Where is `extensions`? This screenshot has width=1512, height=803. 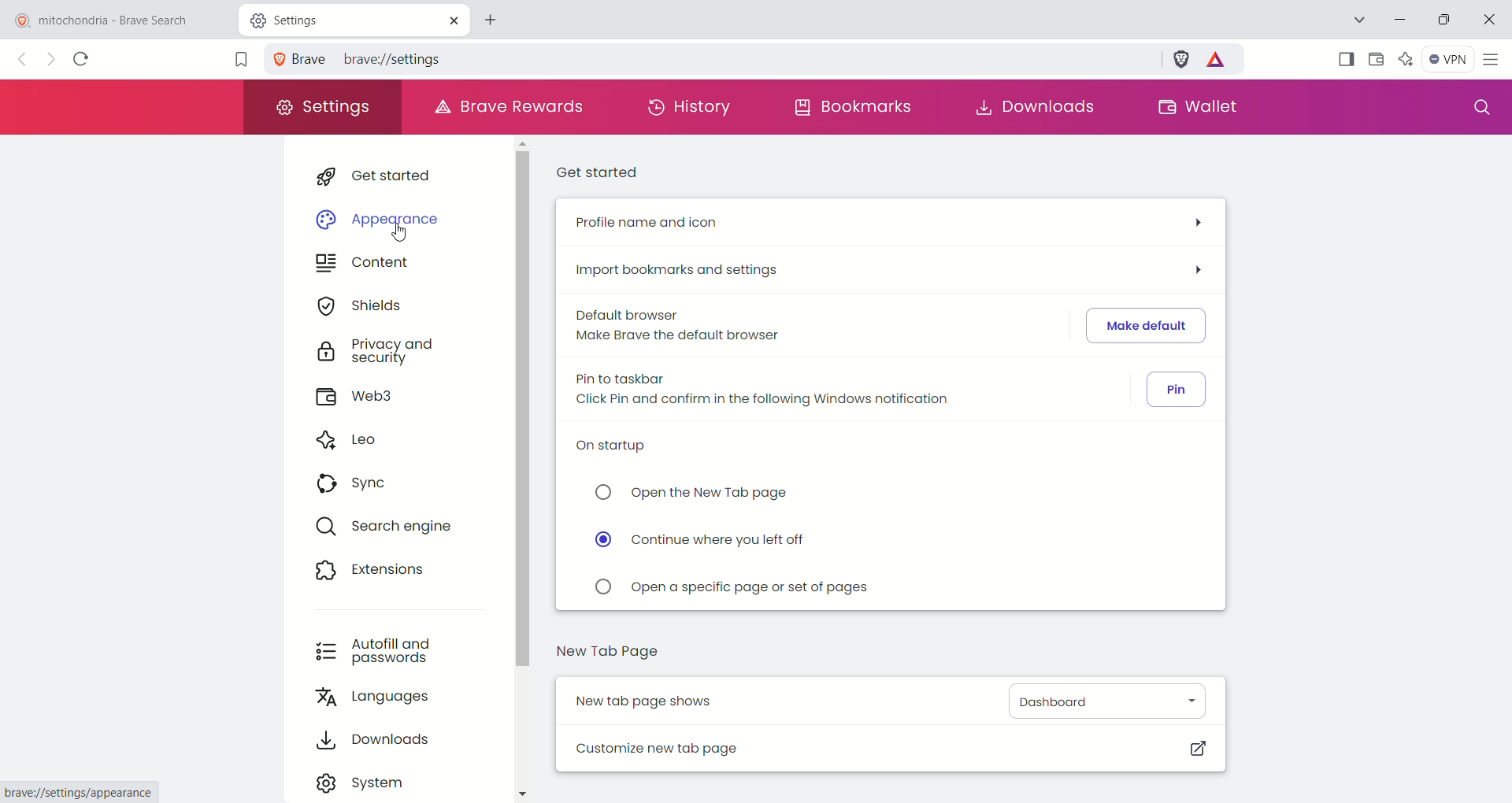 extensions is located at coordinates (369, 570).